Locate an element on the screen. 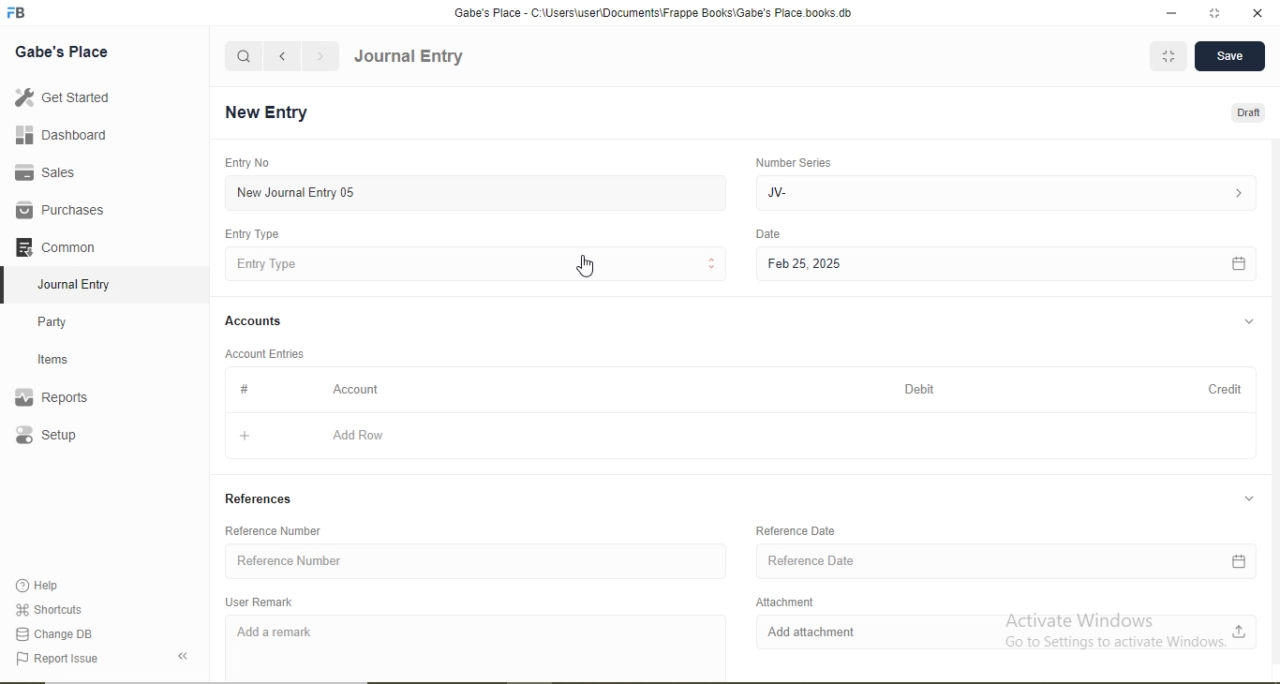 The image size is (1280, 684). search is located at coordinates (244, 56).